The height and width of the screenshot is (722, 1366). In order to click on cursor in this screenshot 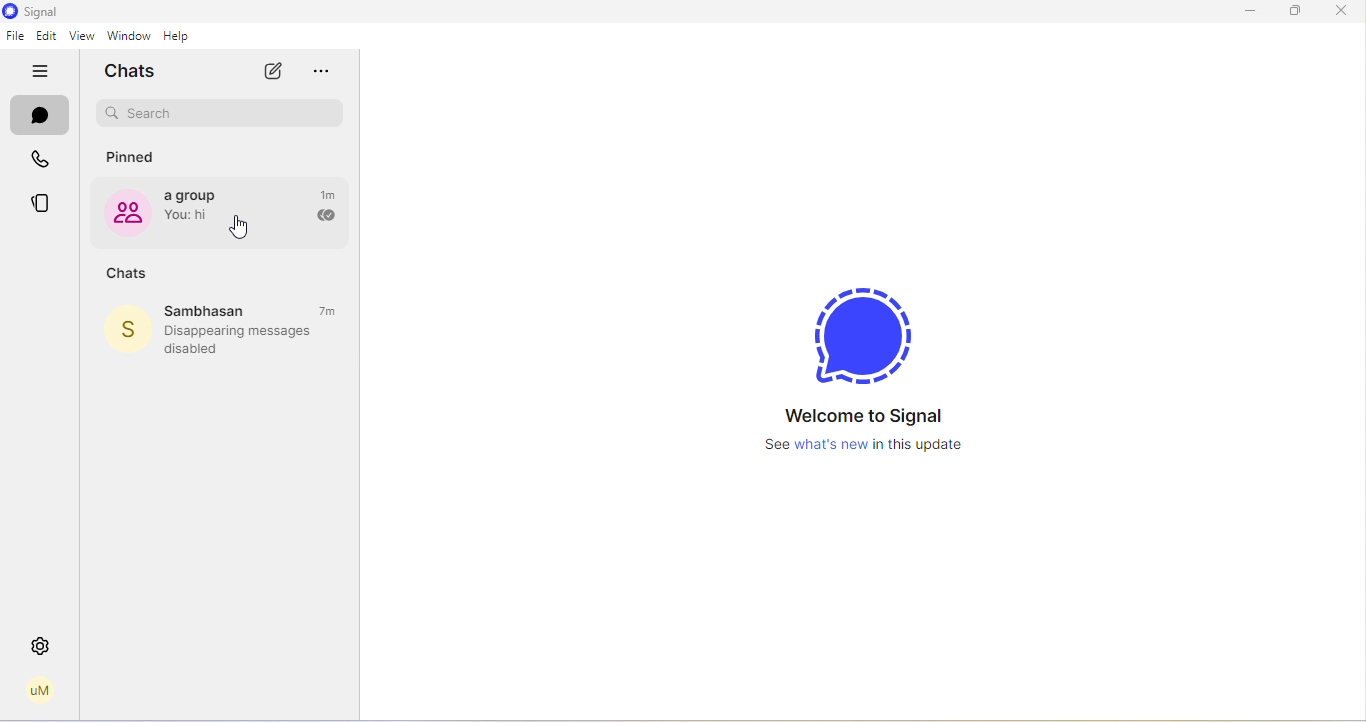, I will do `click(240, 229)`.